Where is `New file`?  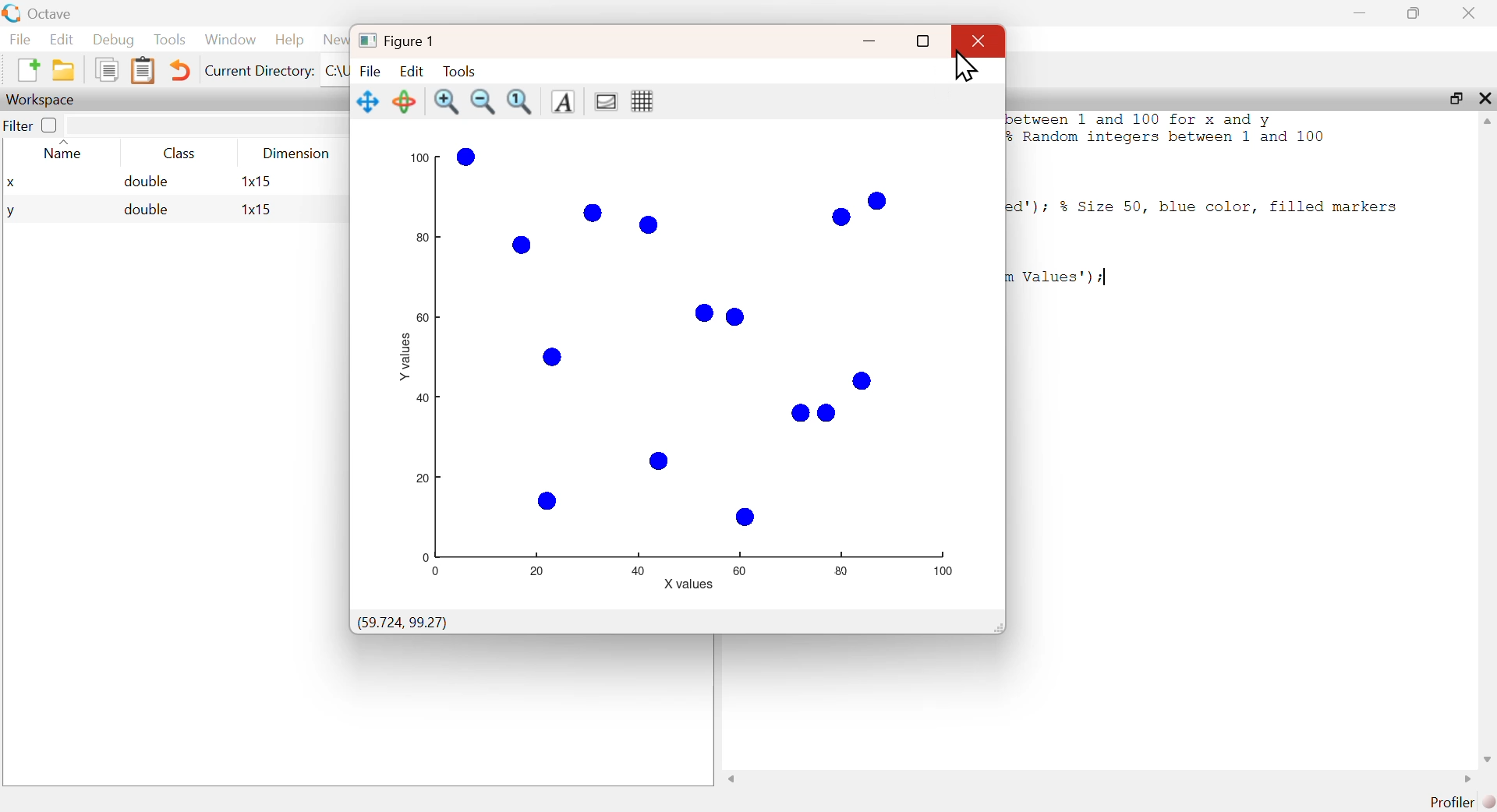 New file is located at coordinates (27, 69).